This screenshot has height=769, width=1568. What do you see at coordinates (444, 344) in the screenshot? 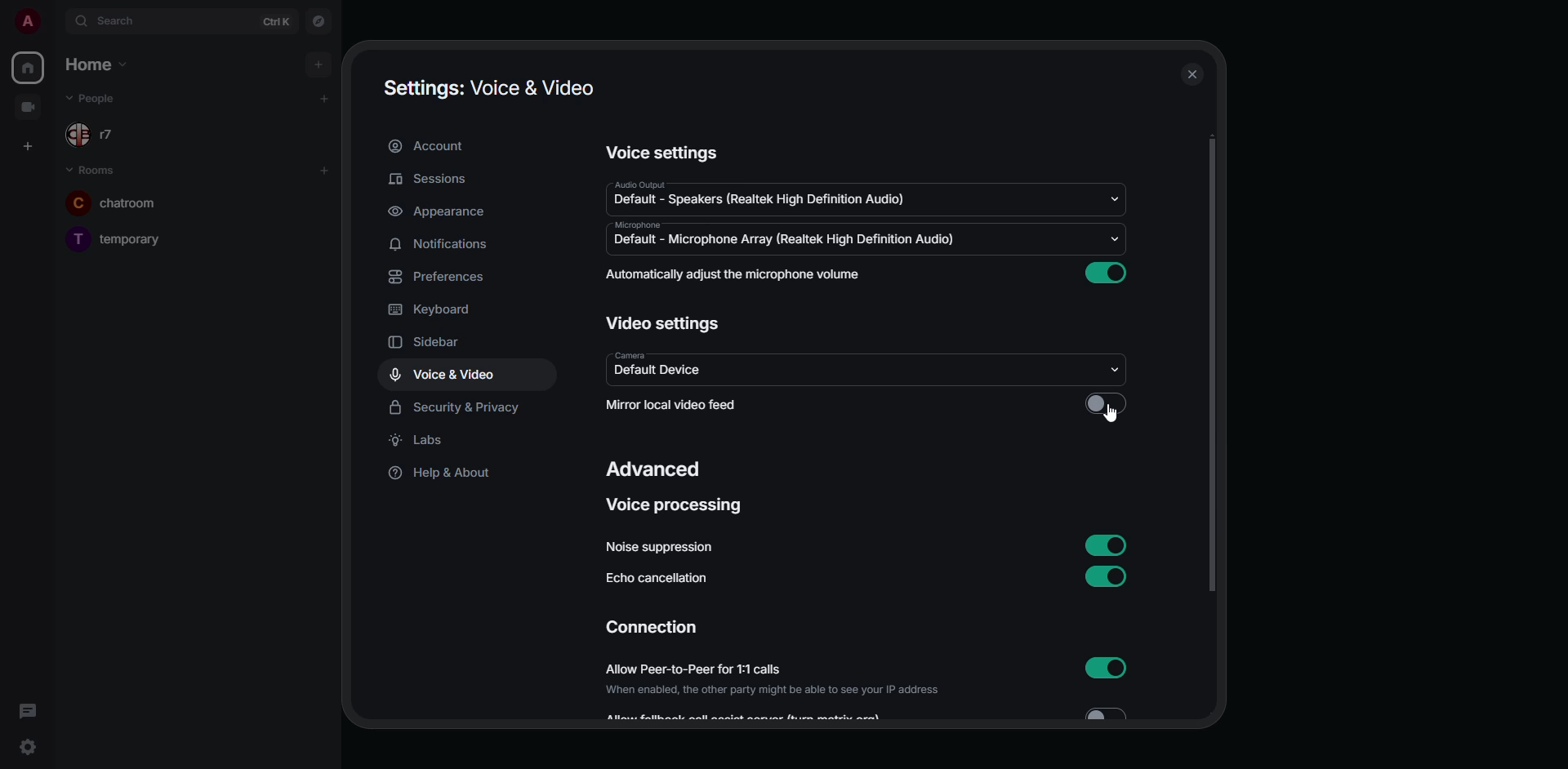
I see `sidebar` at bounding box center [444, 344].